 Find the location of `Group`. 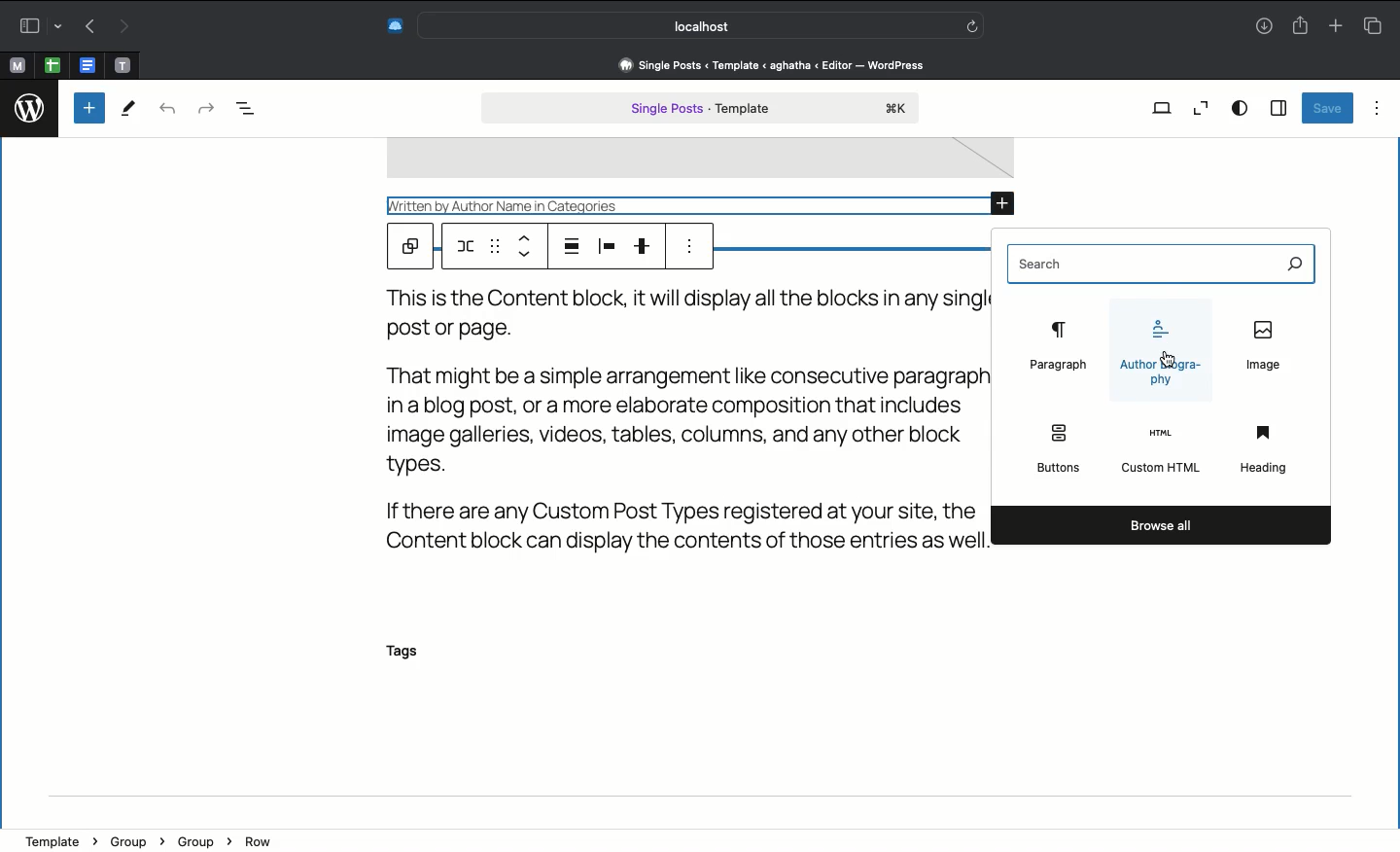

Group is located at coordinates (201, 840).